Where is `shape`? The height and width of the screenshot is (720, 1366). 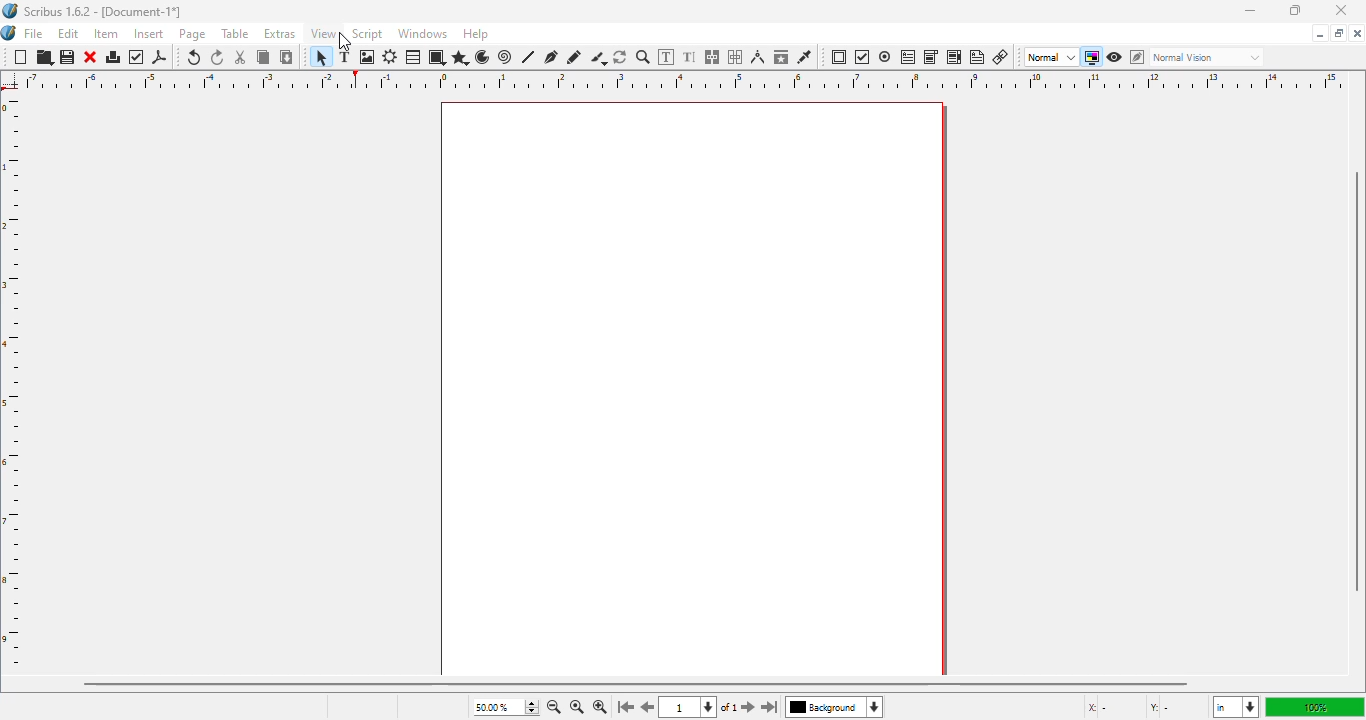
shape is located at coordinates (440, 57).